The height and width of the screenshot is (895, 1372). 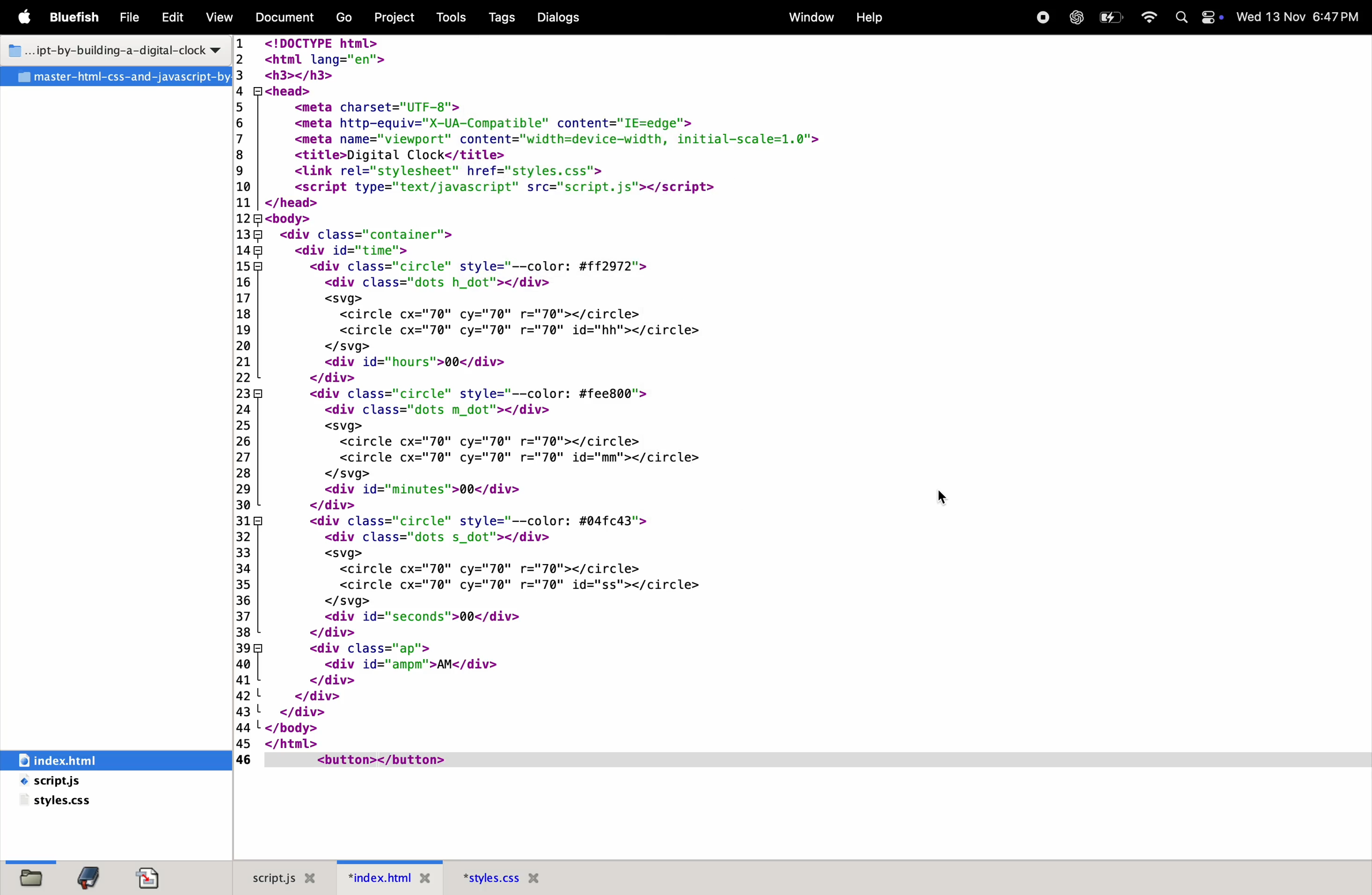 I want to click on Line numbers, so click(x=246, y=401).